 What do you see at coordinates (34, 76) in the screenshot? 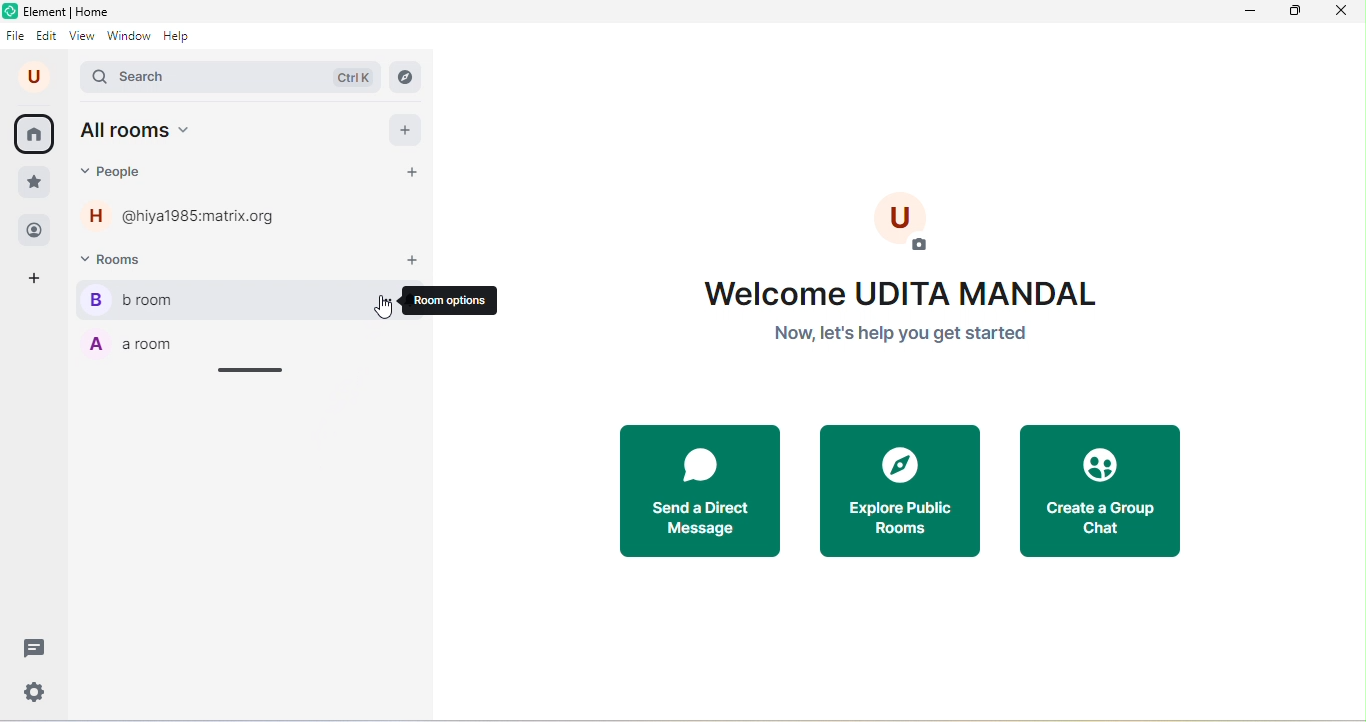
I see `account` at bounding box center [34, 76].